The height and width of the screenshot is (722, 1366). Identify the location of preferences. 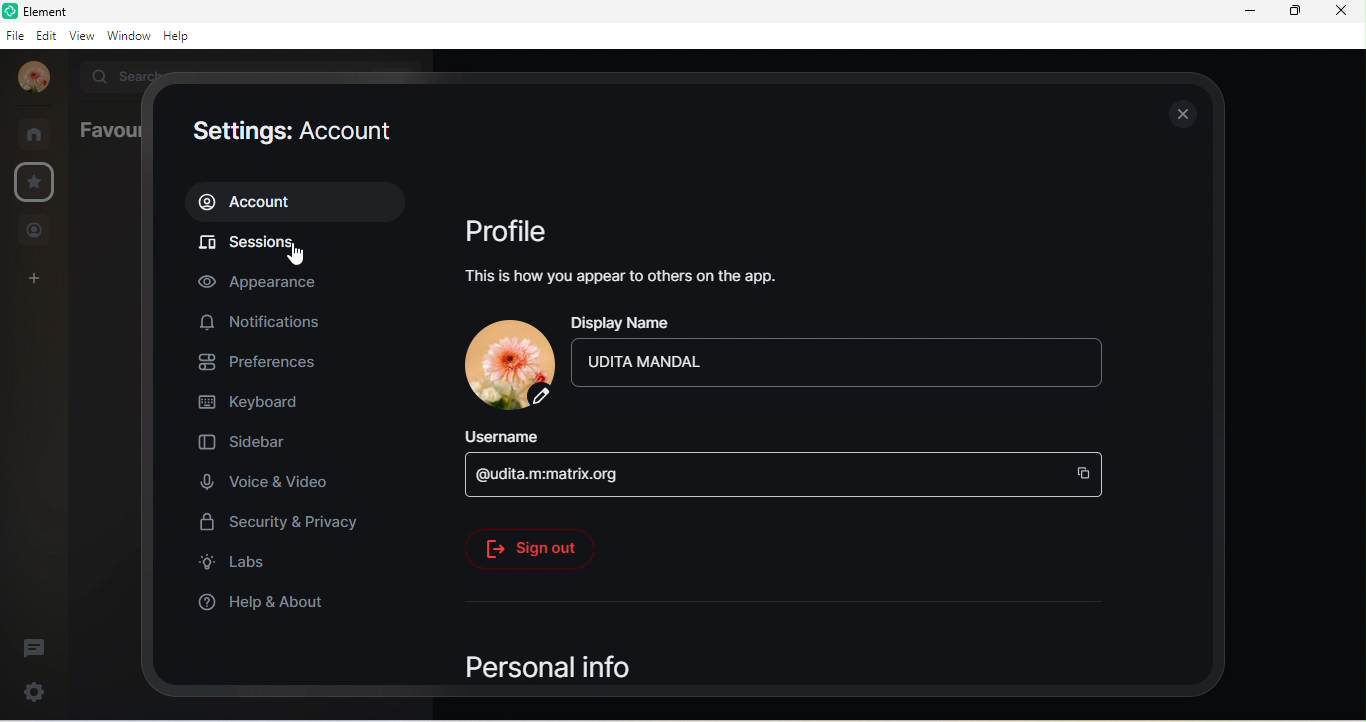
(267, 364).